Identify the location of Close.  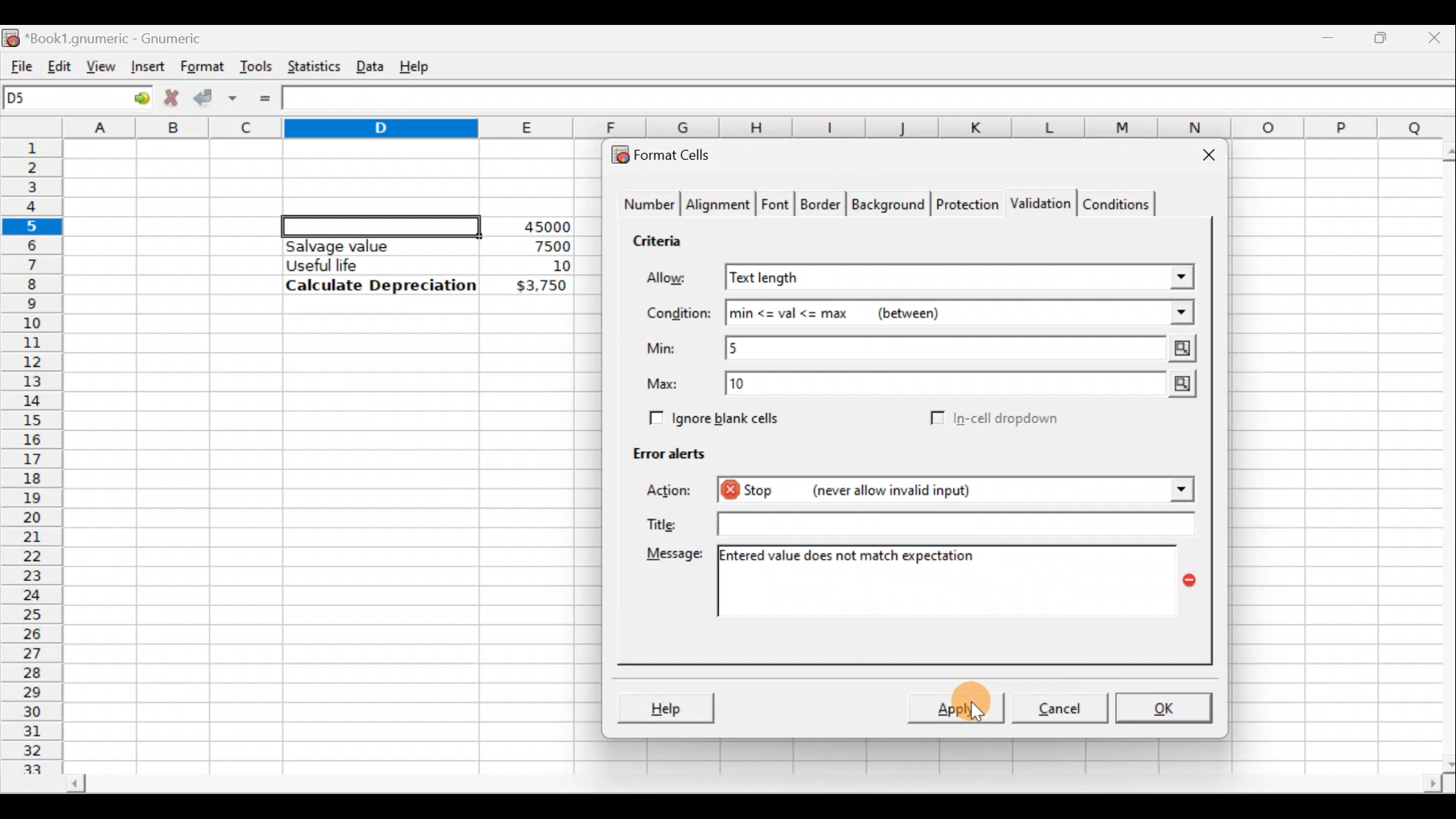
(1202, 158).